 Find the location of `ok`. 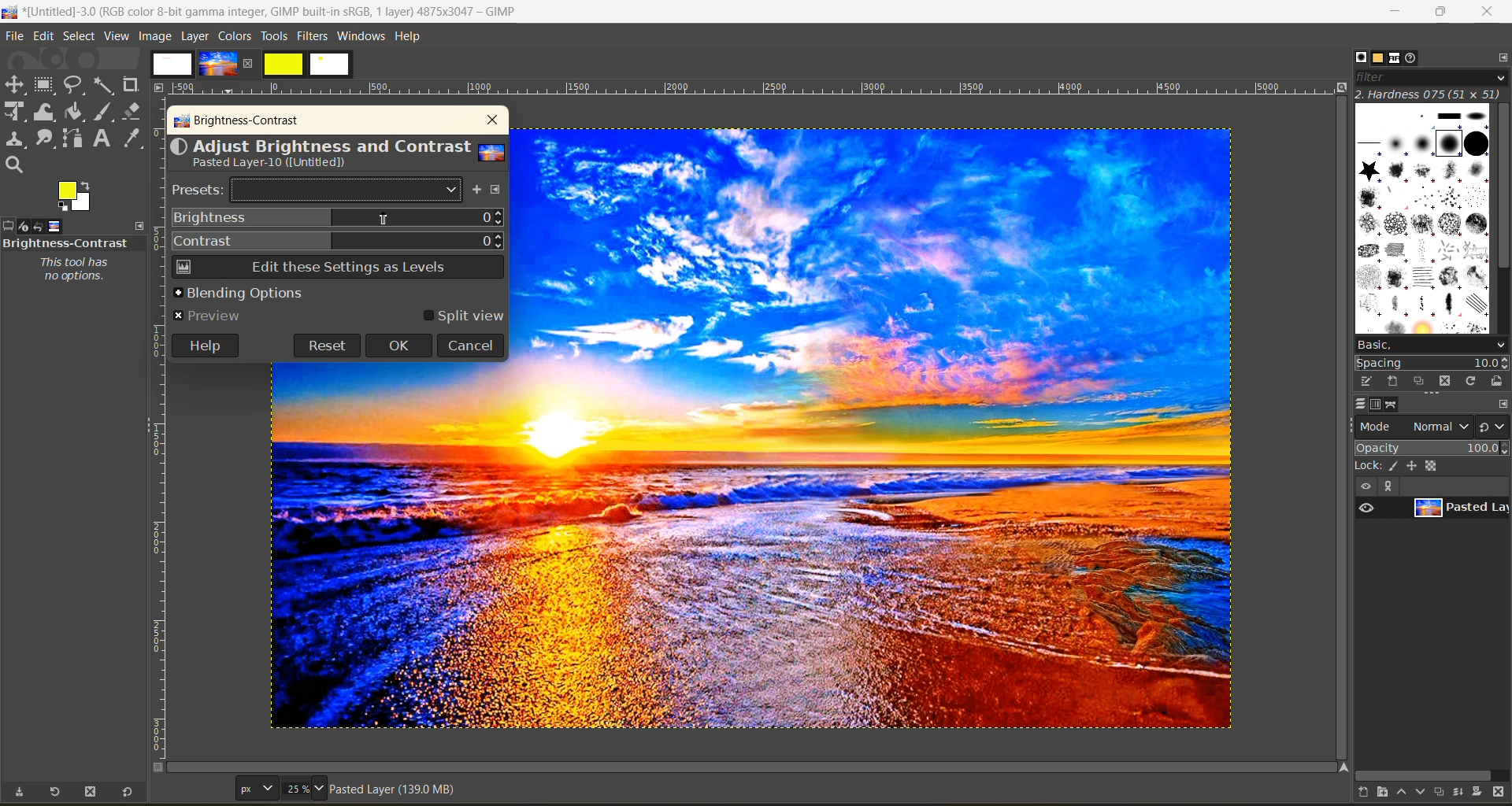

ok is located at coordinates (399, 346).